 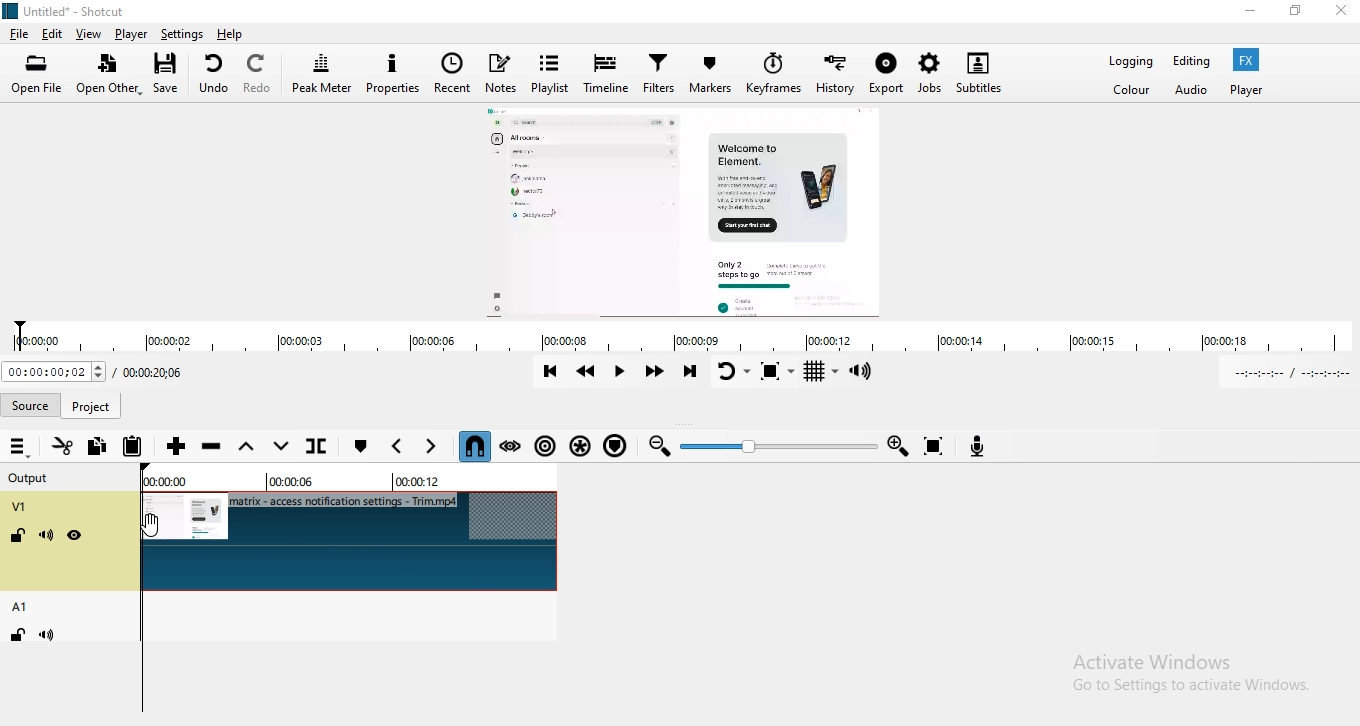 I want to click on Mute, so click(x=55, y=637).